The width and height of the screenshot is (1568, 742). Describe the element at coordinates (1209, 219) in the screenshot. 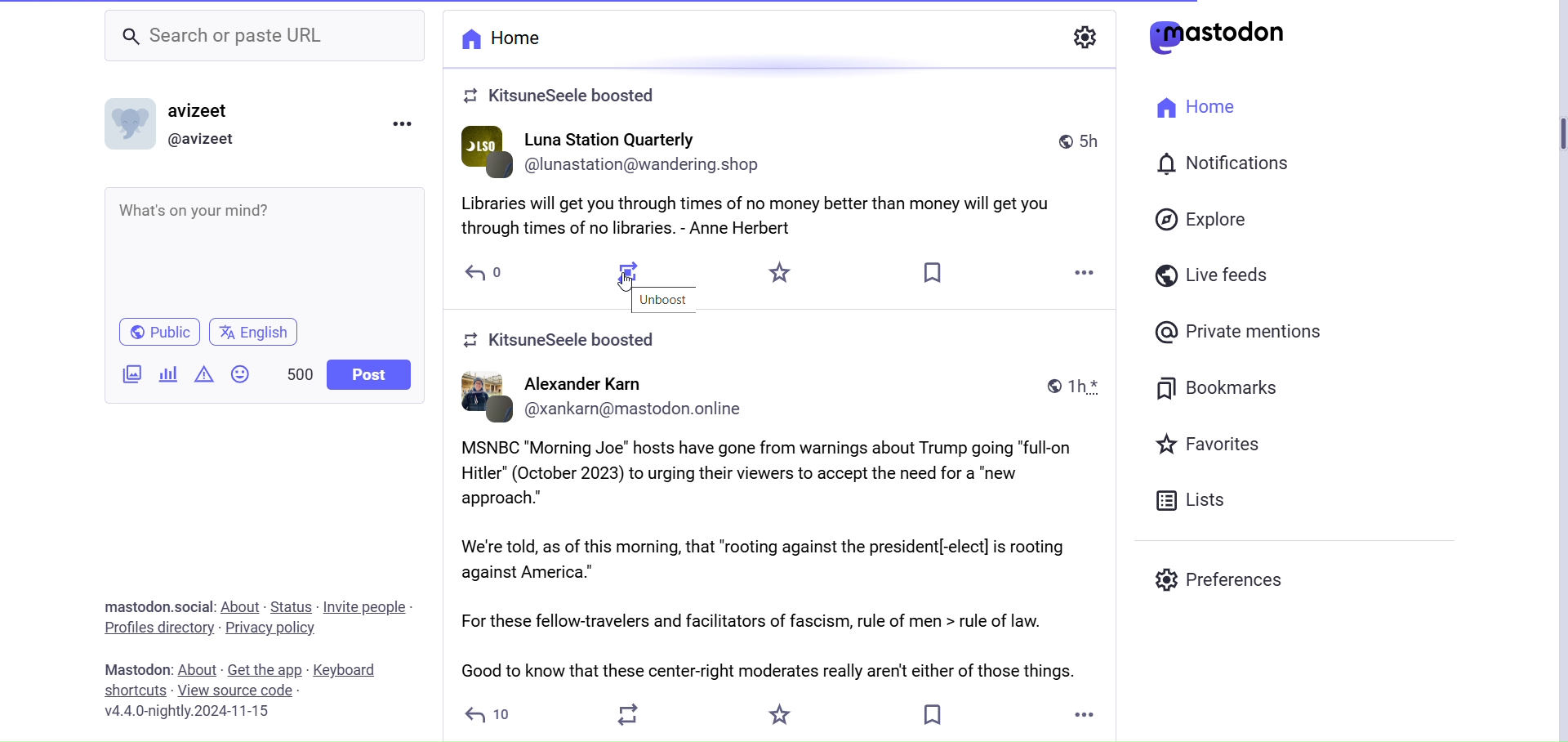

I see `Explore` at that location.